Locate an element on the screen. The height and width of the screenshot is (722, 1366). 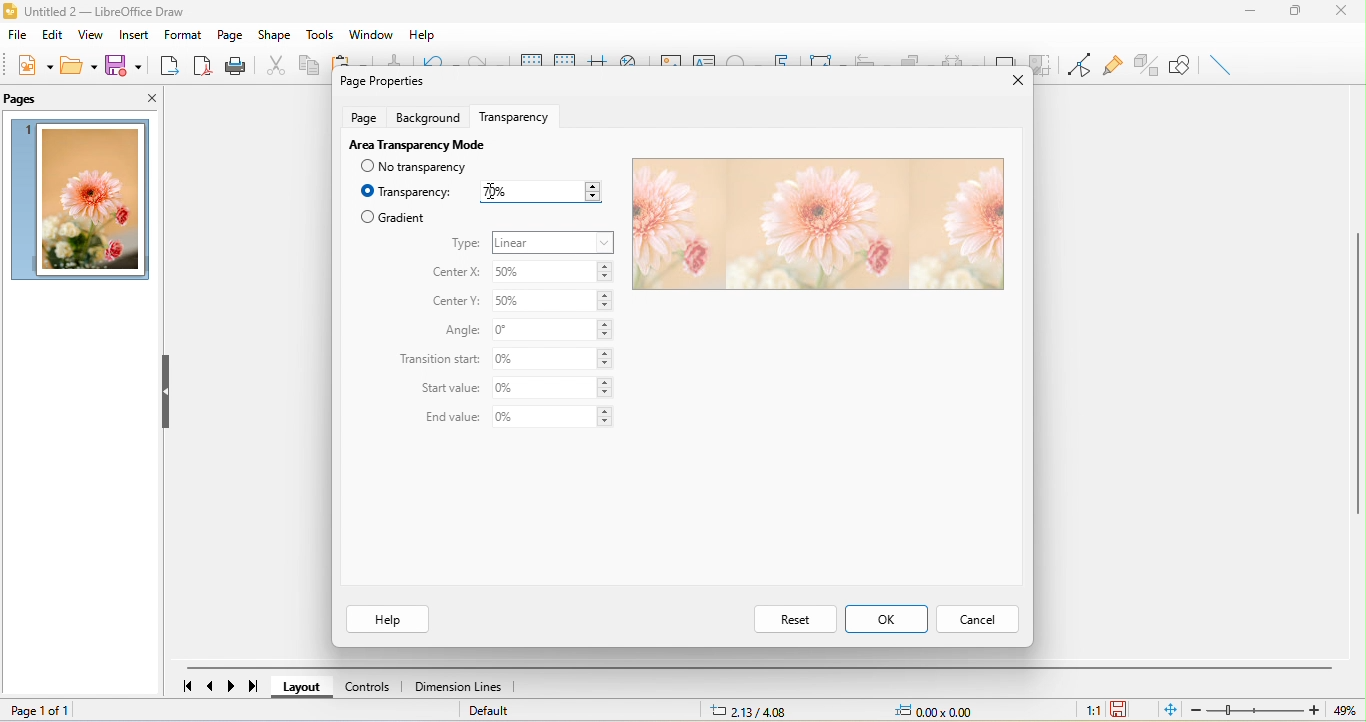
image transparency is located at coordinates (815, 225).